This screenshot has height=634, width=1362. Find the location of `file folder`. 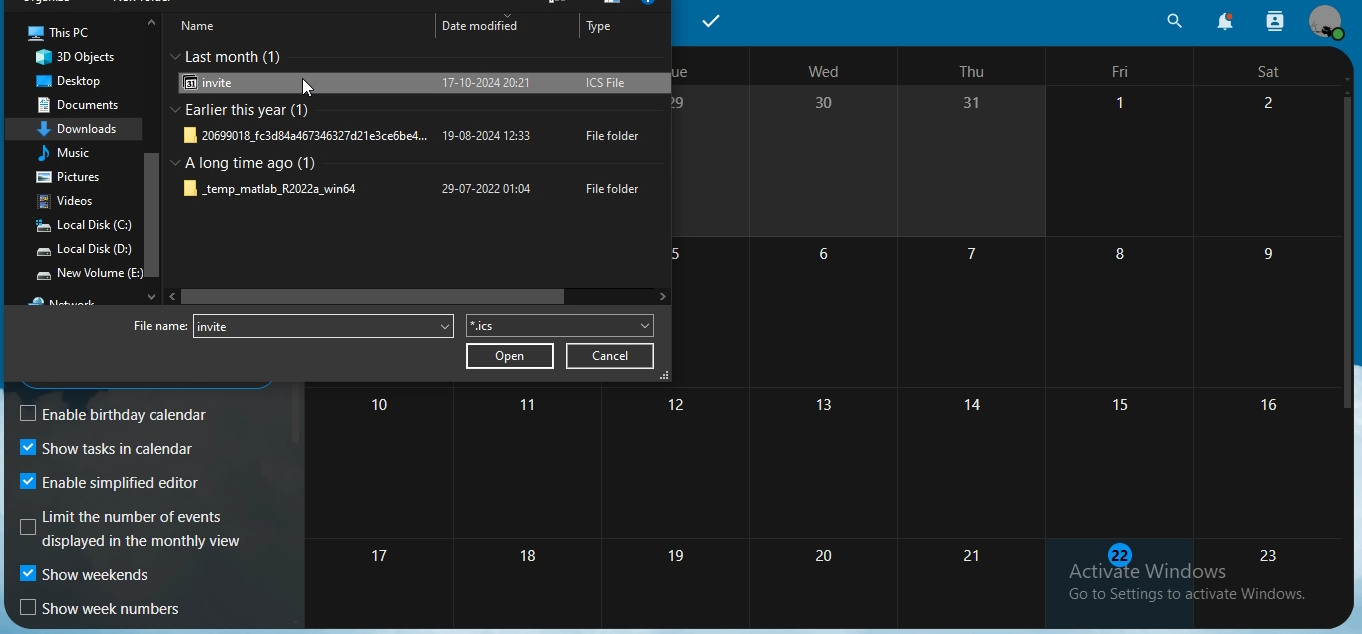

file folder is located at coordinates (413, 189).